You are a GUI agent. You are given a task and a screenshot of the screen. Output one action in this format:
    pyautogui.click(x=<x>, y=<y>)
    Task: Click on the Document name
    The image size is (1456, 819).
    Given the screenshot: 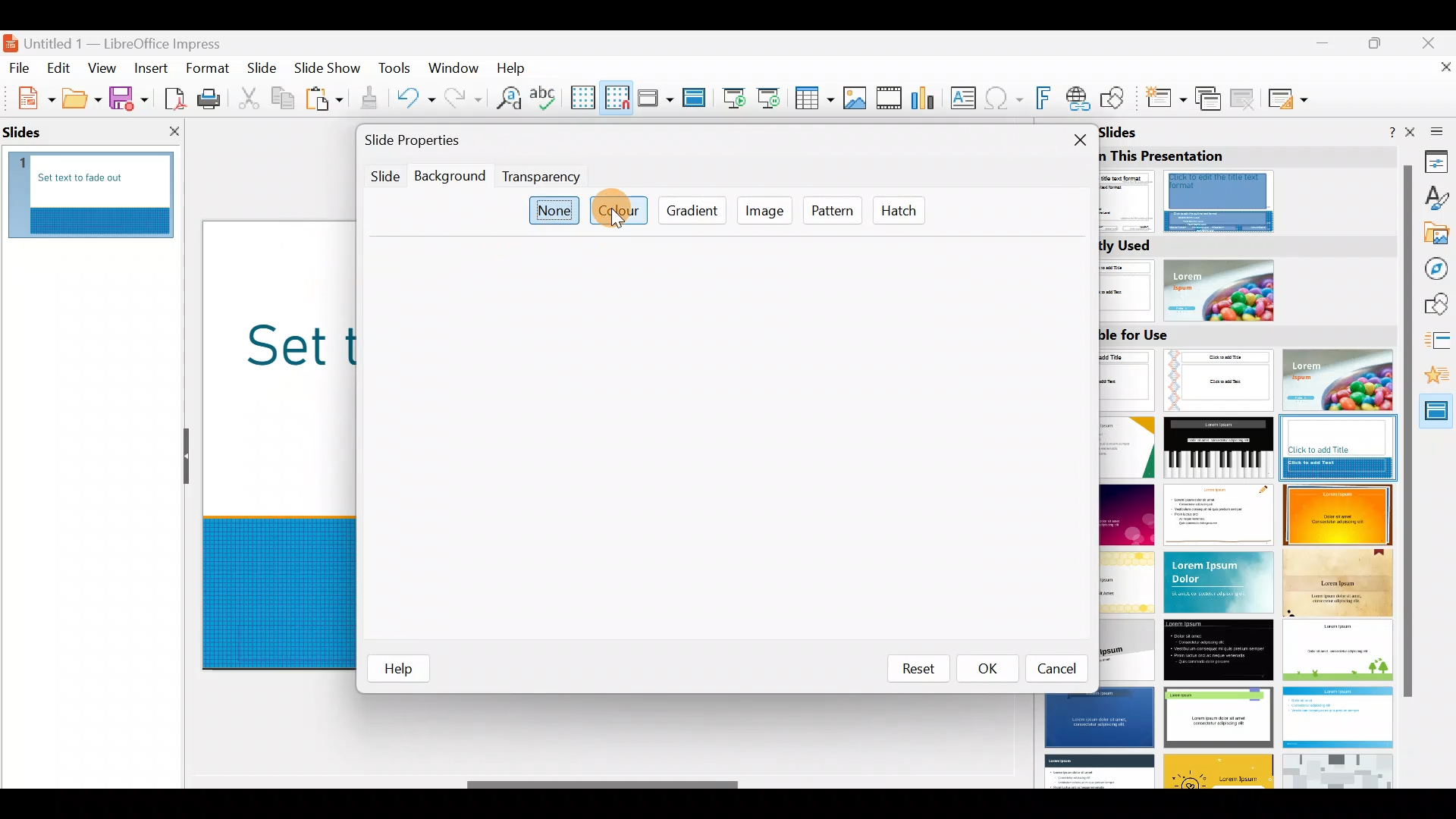 What is the action you would take?
    pyautogui.click(x=124, y=39)
    